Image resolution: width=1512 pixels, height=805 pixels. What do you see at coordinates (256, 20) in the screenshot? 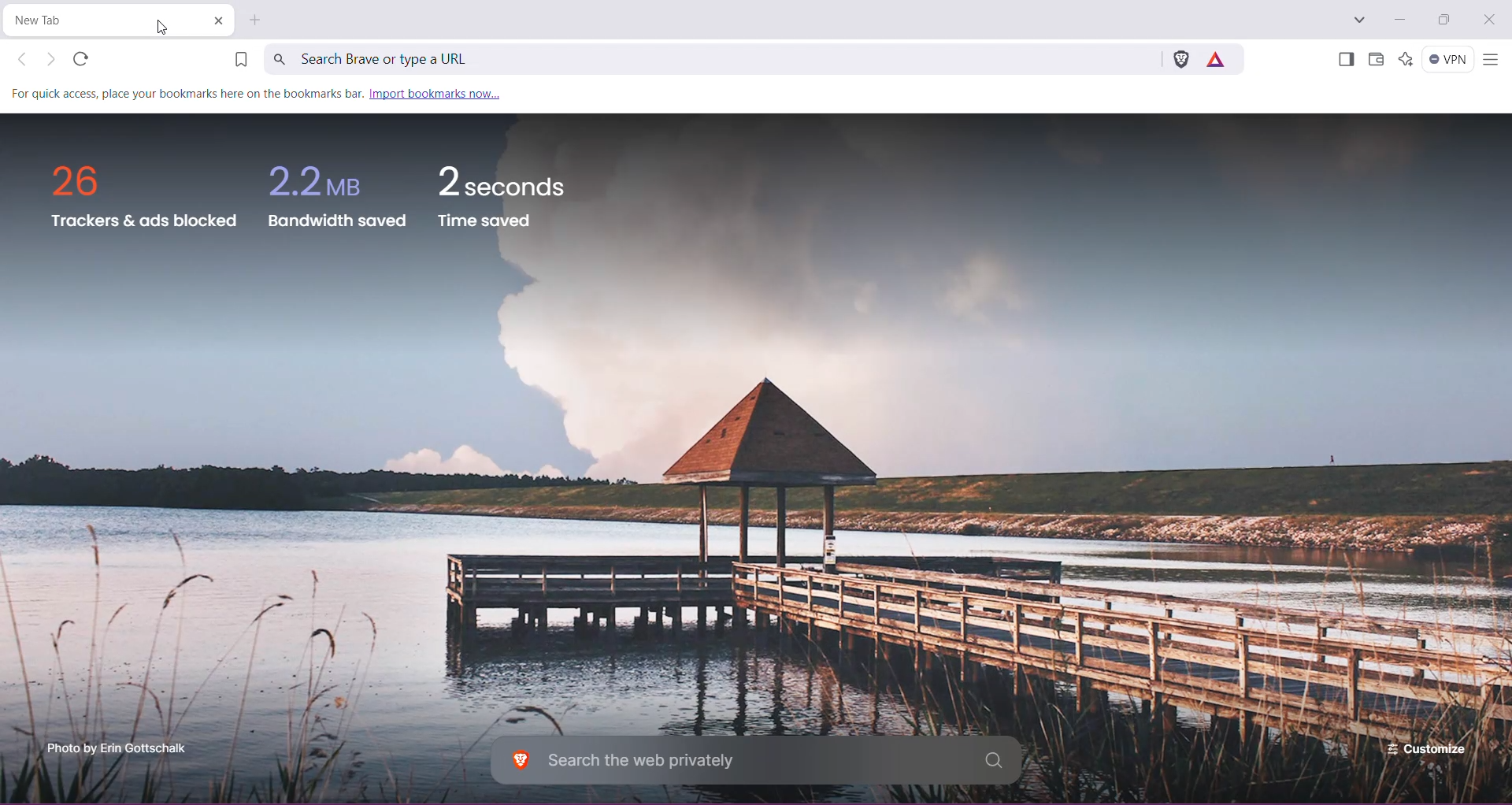
I see `New Tab` at bounding box center [256, 20].